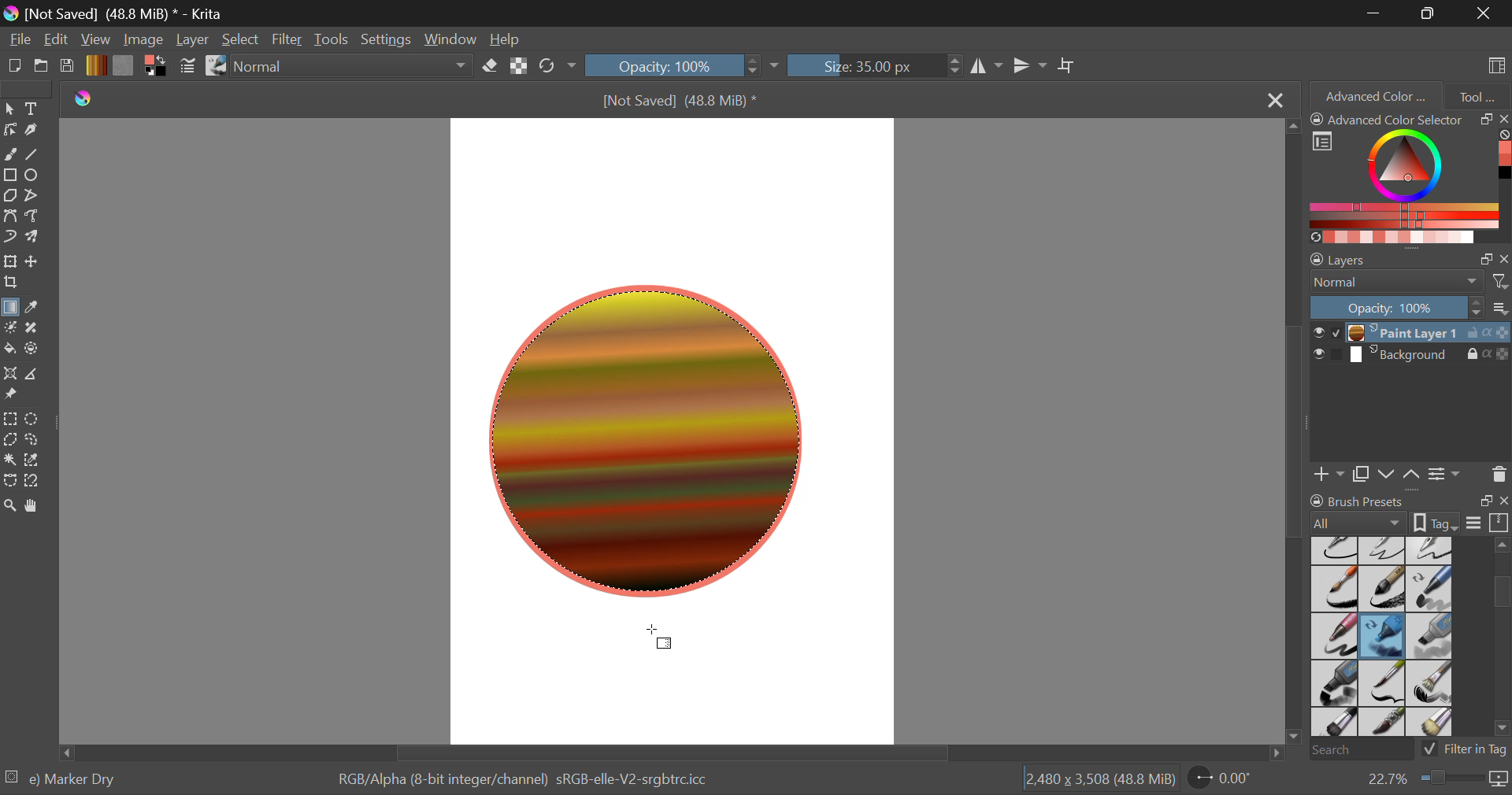 This screenshot has height=795, width=1512. What do you see at coordinates (65, 777) in the screenshot?
I see `Selected Brush Preset` at bounding box center [65, 777].